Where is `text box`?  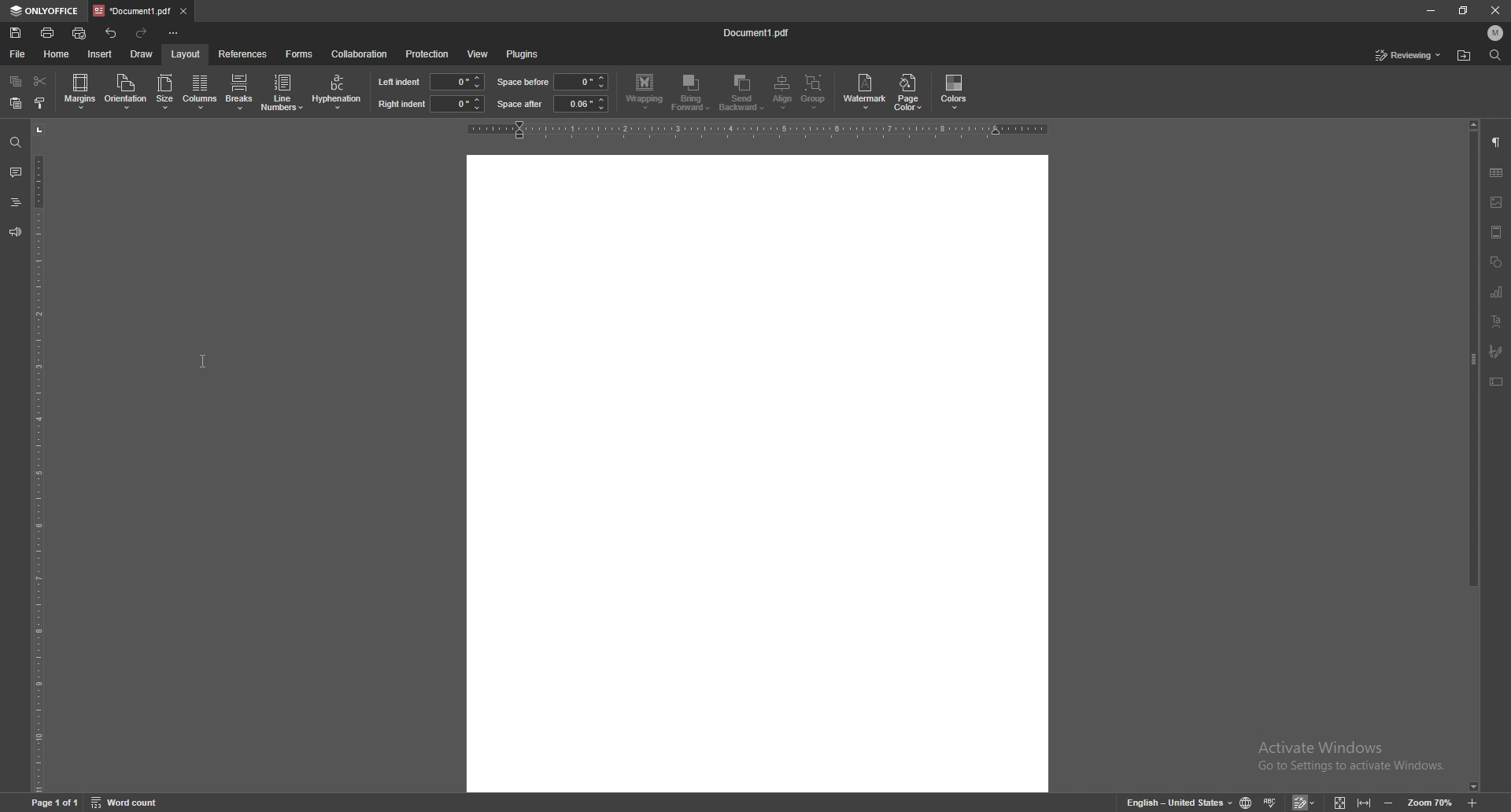 text box is located at coordinates (1497, 382).